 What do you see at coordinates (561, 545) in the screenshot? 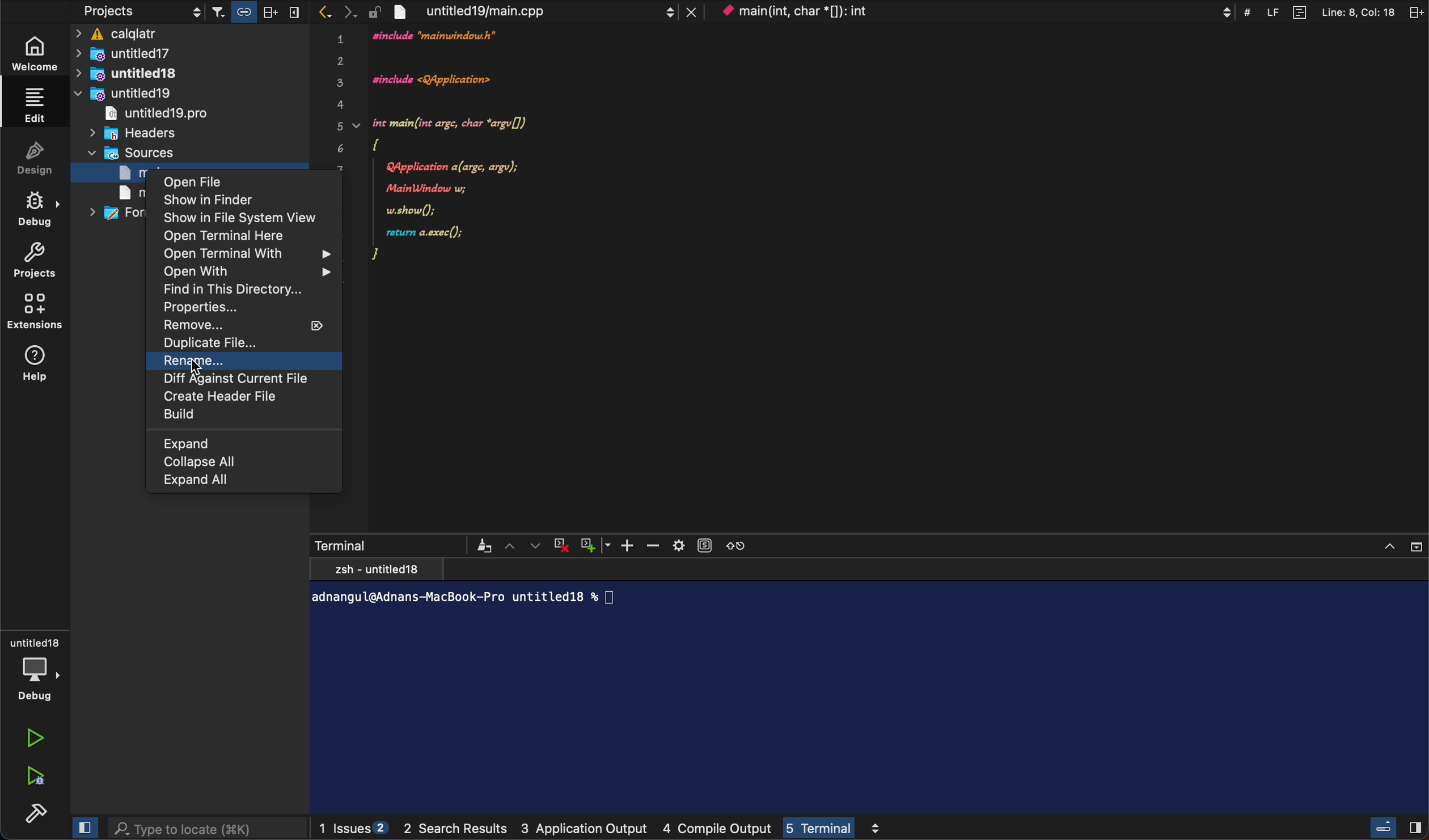
I see `Close Terminal` at bounding box center [561, 545].